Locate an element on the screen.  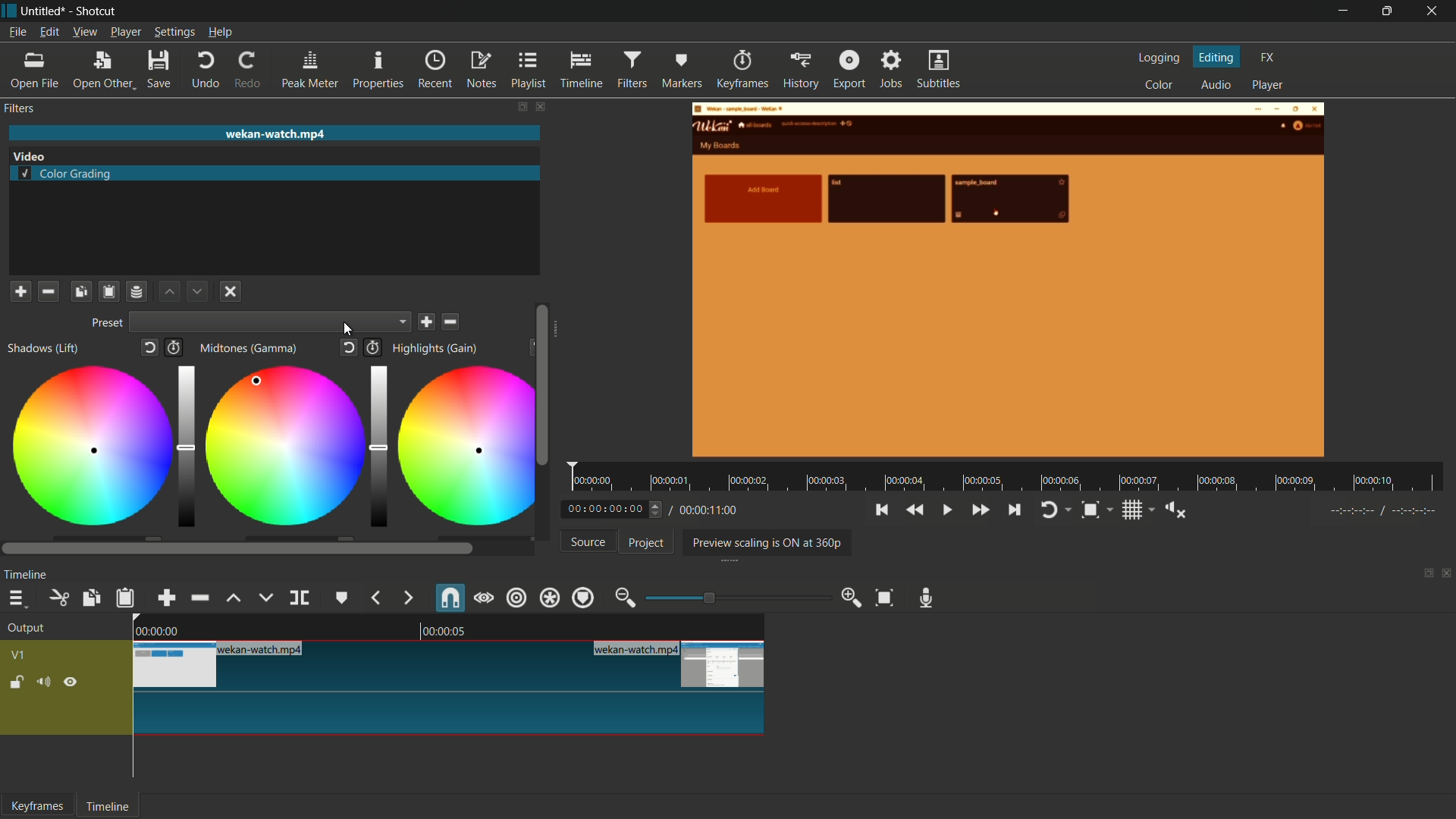
timeline is located at coordinates (110, 806).